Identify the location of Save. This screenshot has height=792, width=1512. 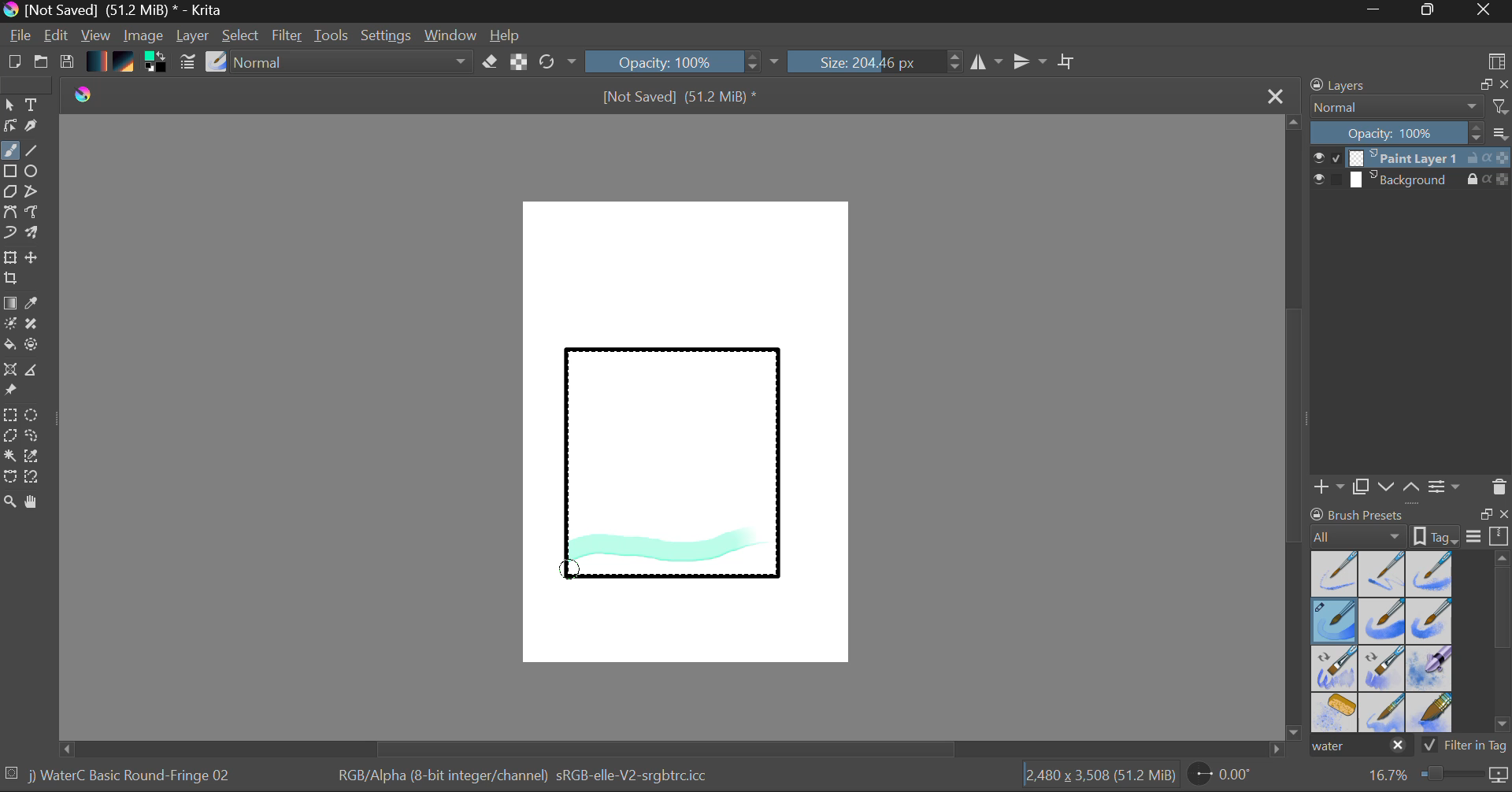
(66, 63).